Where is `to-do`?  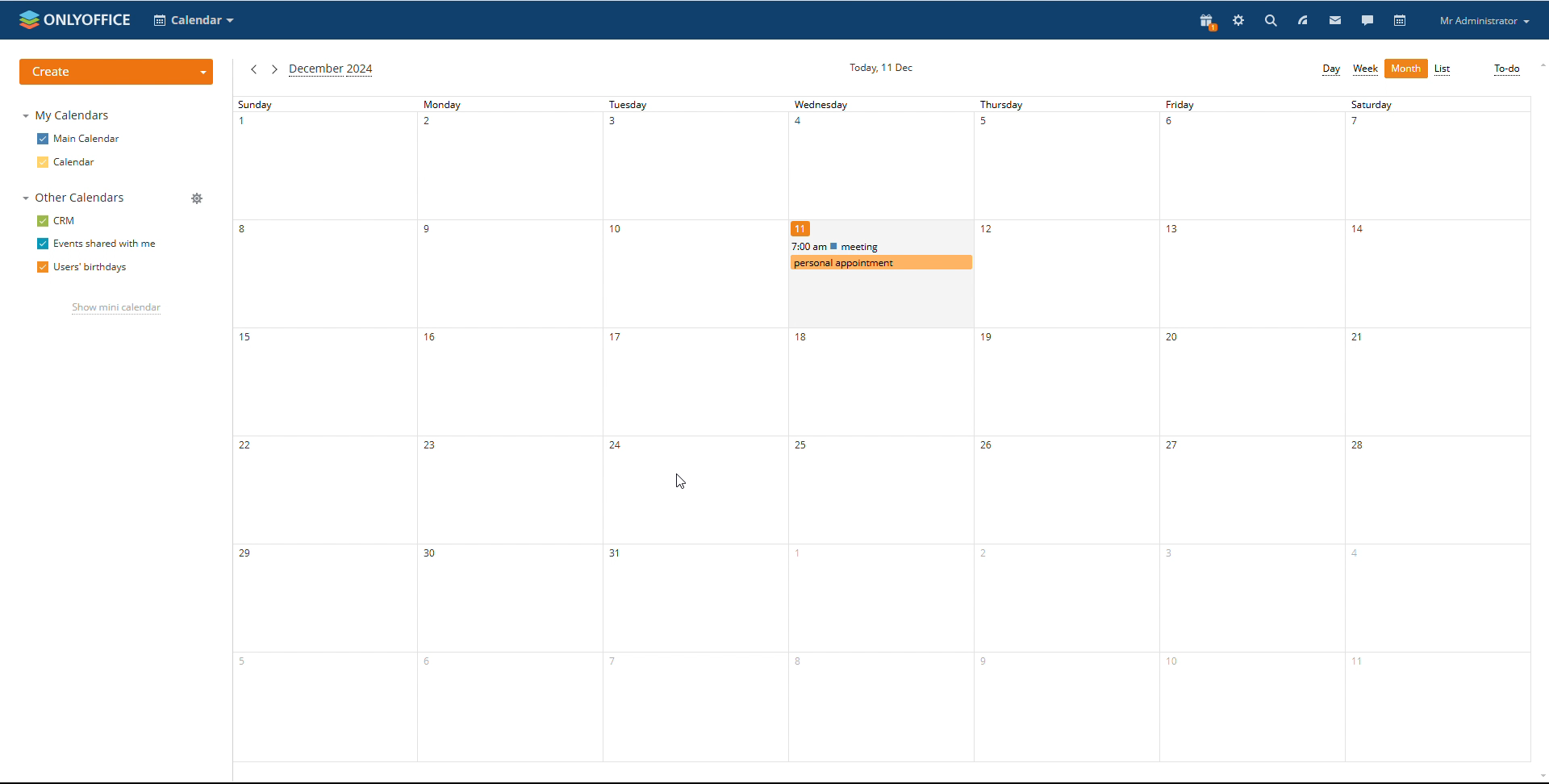
to-do is located at coordinates (1507, 70).